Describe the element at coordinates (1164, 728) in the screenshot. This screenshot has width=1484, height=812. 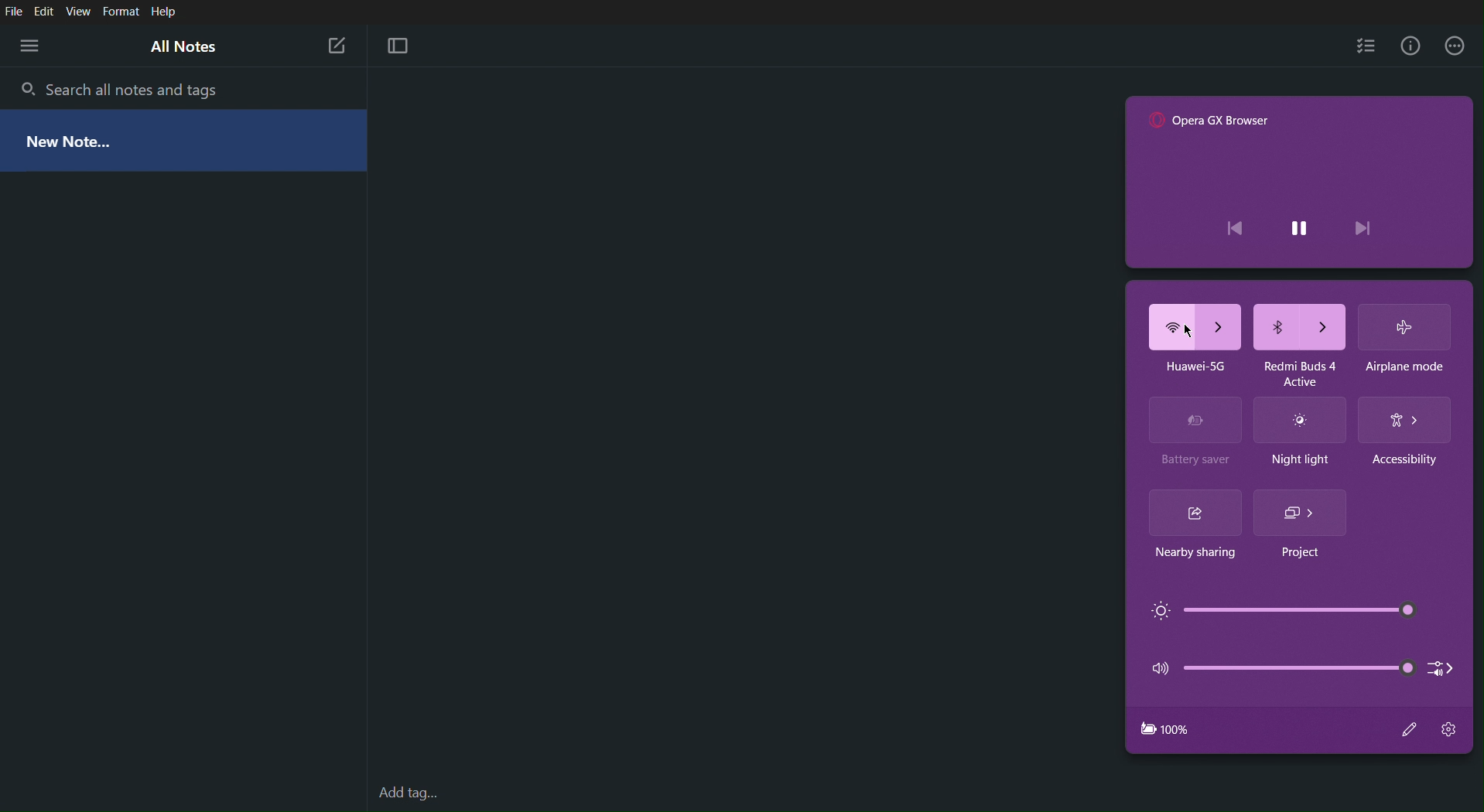
I see `Charging` at that location.